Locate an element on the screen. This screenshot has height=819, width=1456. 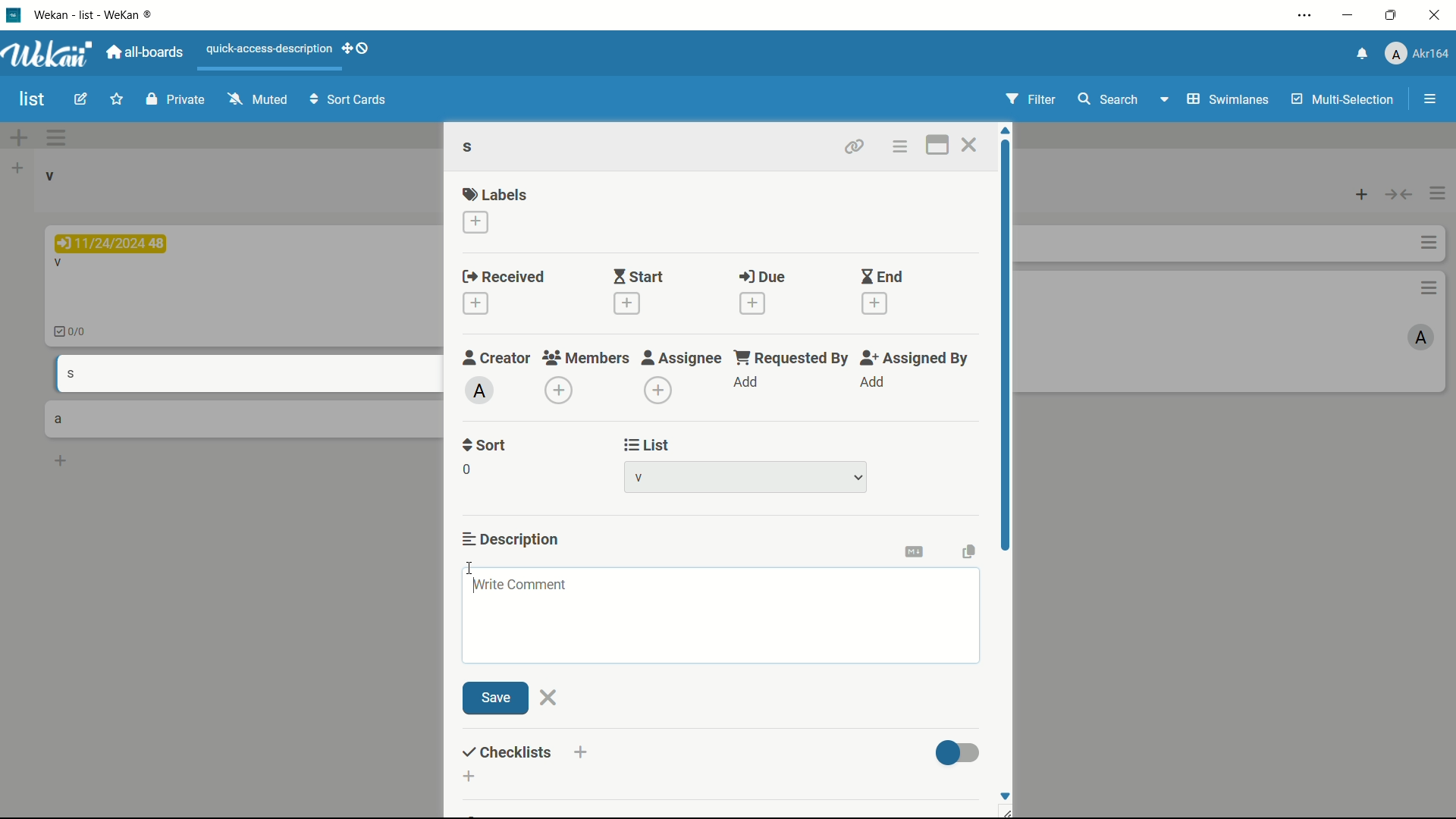
admin is located at coordinates (479, 391).